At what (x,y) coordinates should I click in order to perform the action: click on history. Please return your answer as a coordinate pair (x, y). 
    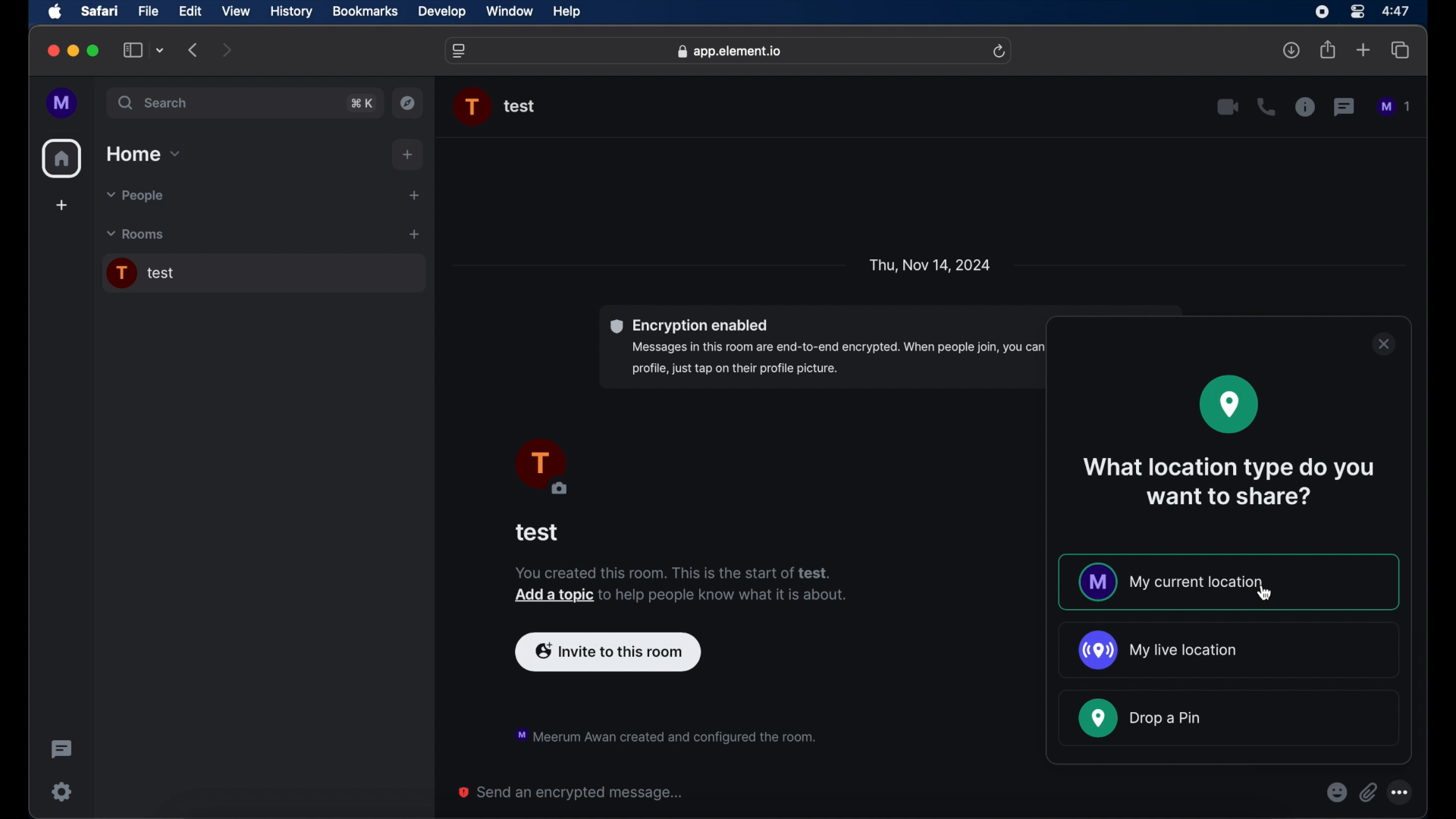
    Looking at the image, I should click on (291, 11).